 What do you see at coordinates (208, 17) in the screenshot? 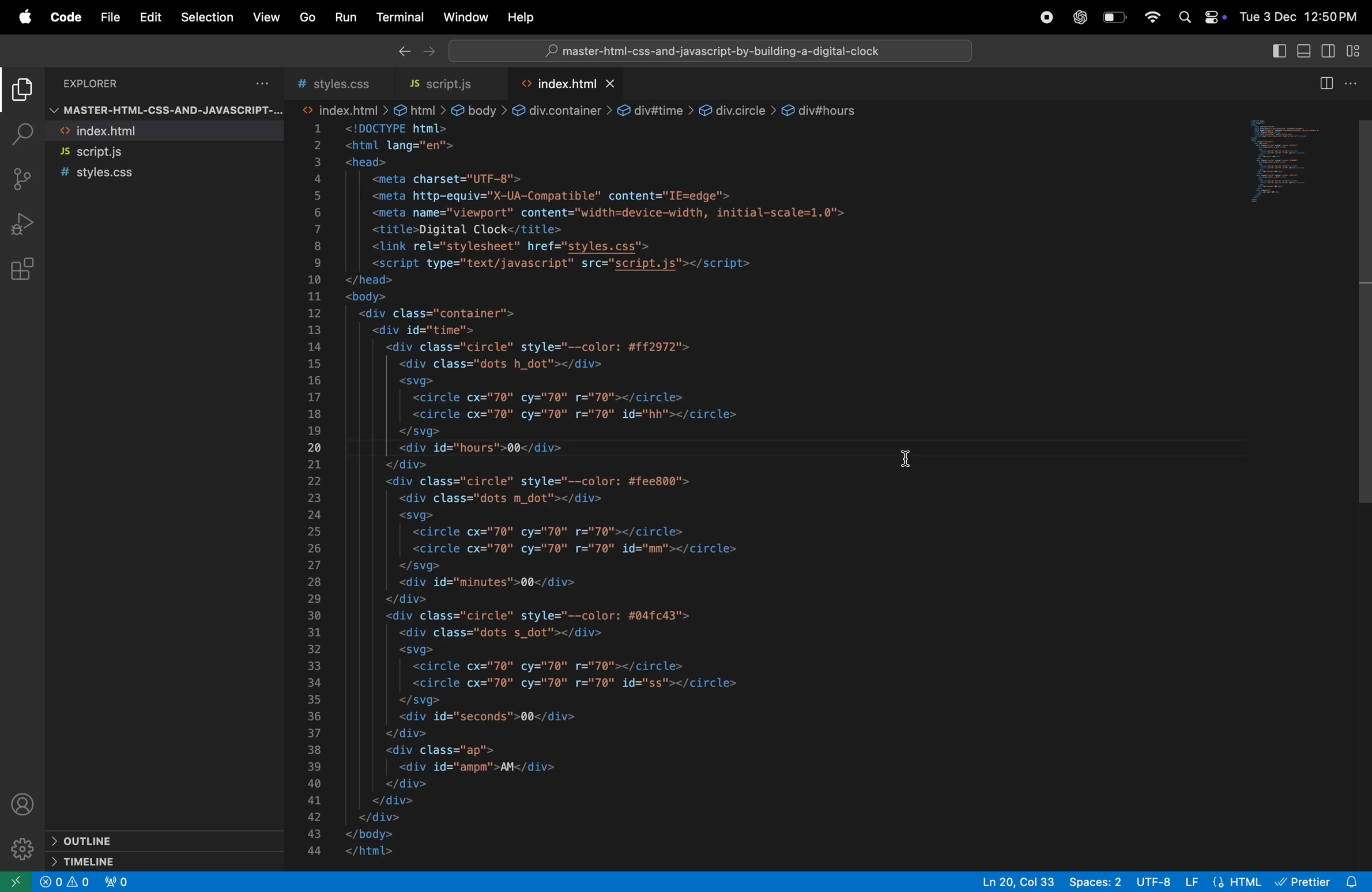
I see `selection` at bounding box center [208, 17].